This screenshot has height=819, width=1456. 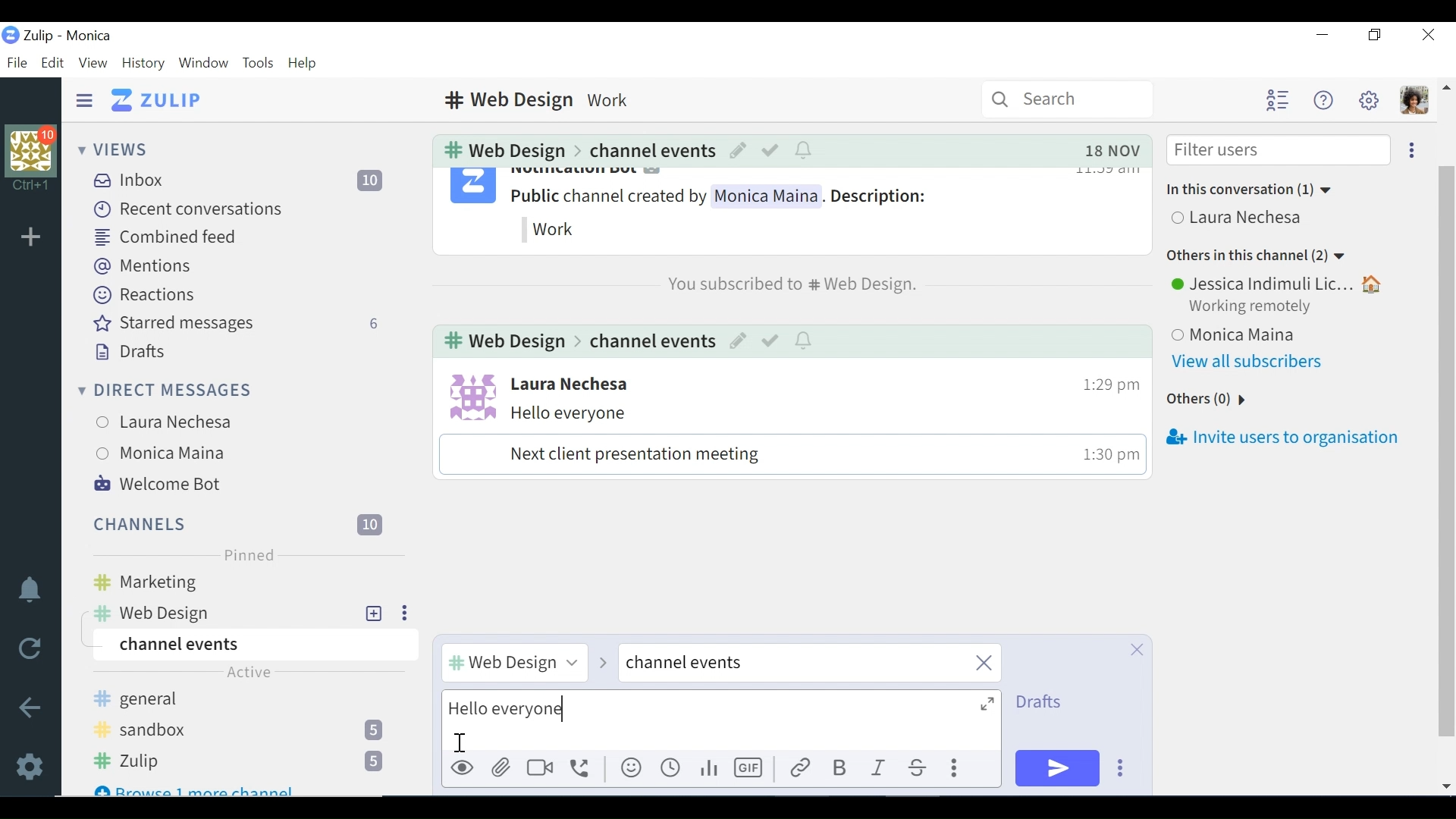 I want to click on User, so click(x=570, y=384).